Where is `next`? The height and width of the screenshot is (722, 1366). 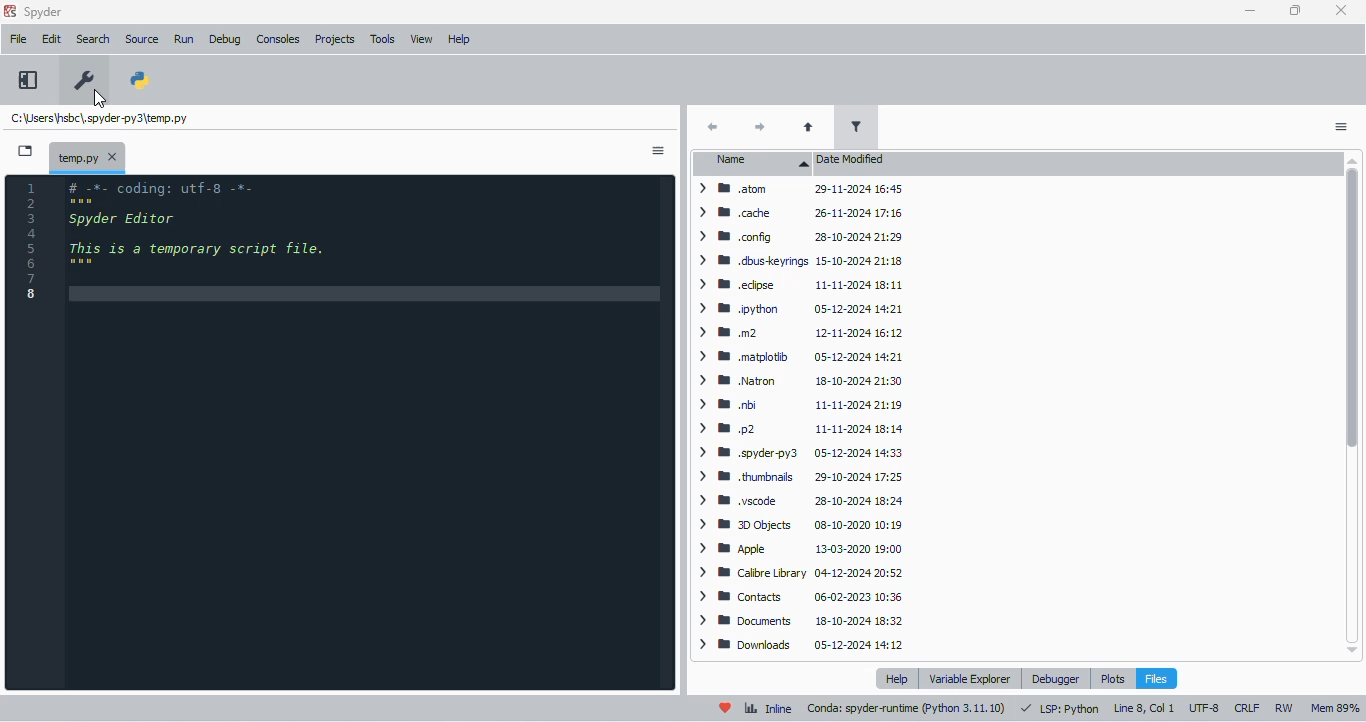
next is located at coordinates (761, 127).